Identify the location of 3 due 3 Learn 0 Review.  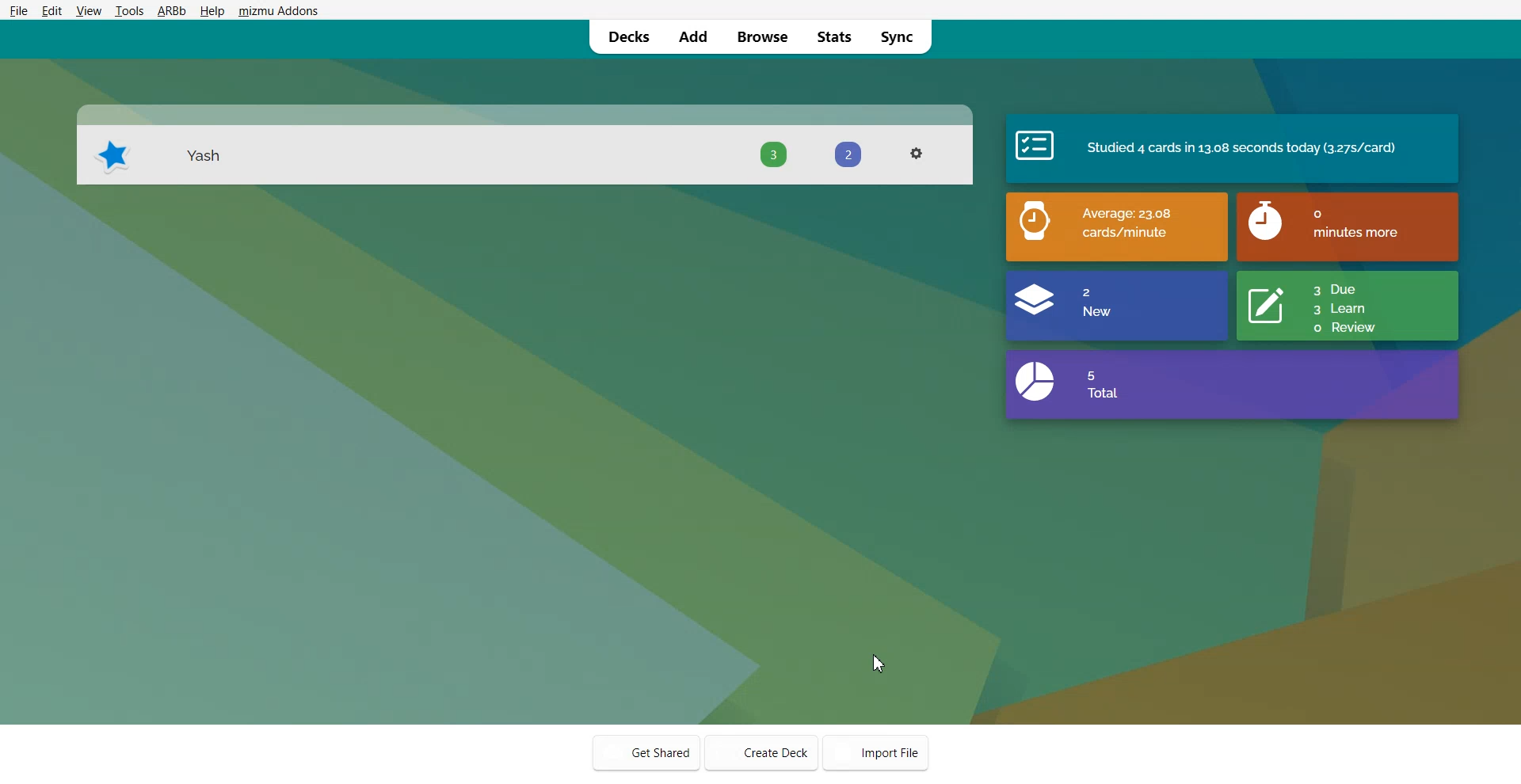
(1349, 306).